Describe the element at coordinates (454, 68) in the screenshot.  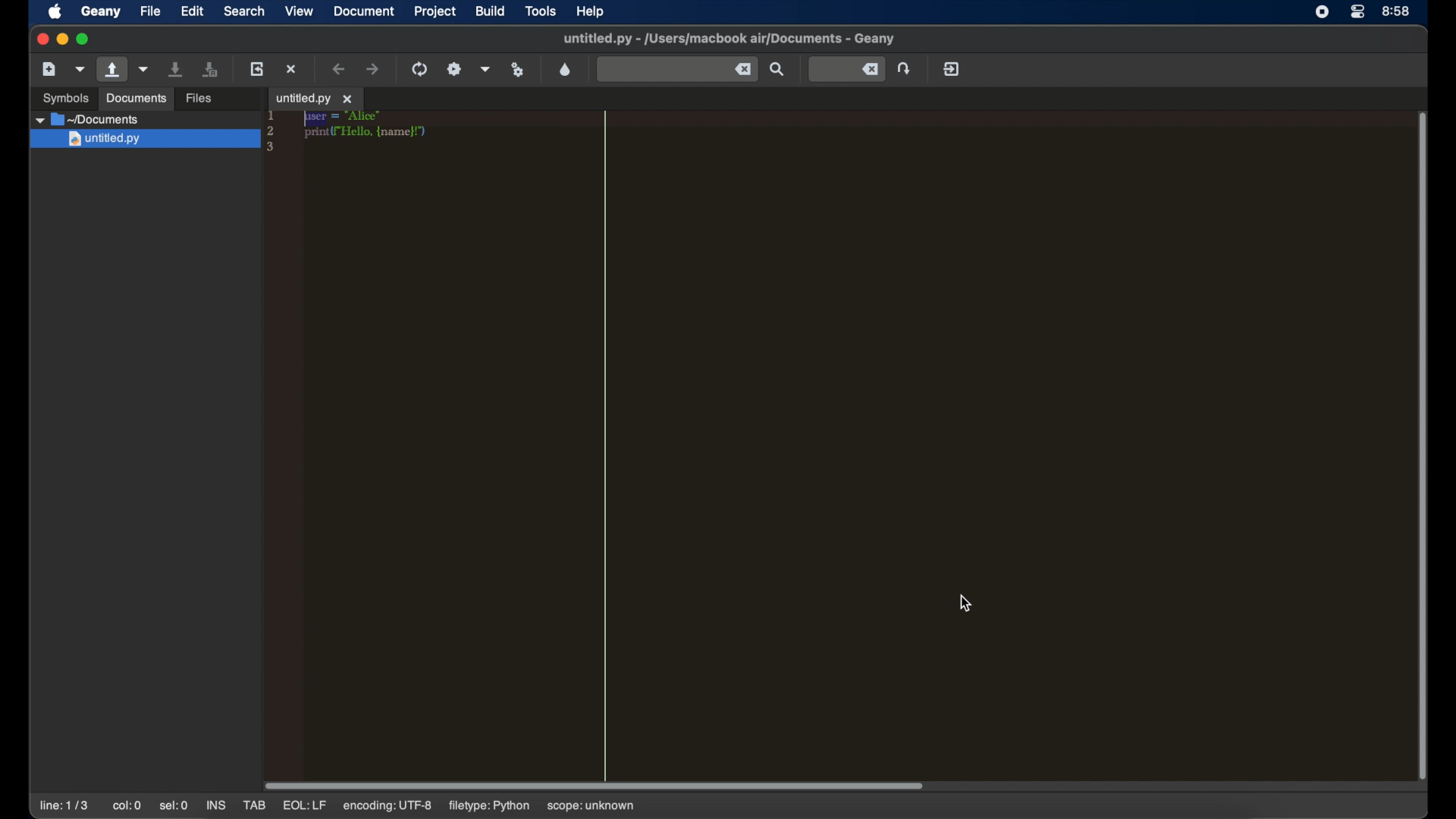
I see `build the current file` at that location.